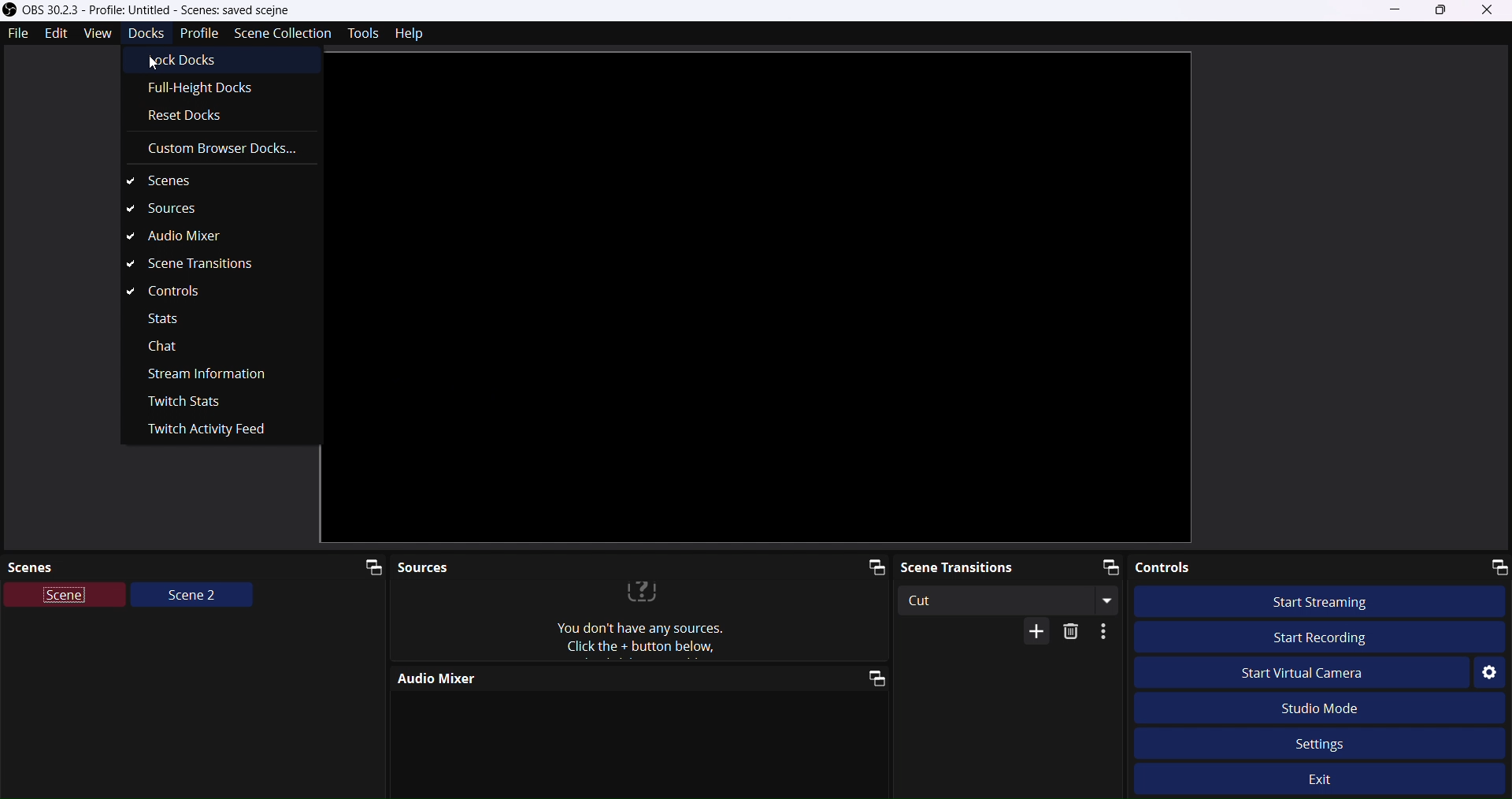 The width and height of the screenshot is (1512, 799). I want to click on Twitch Stats, so click(184, 403).